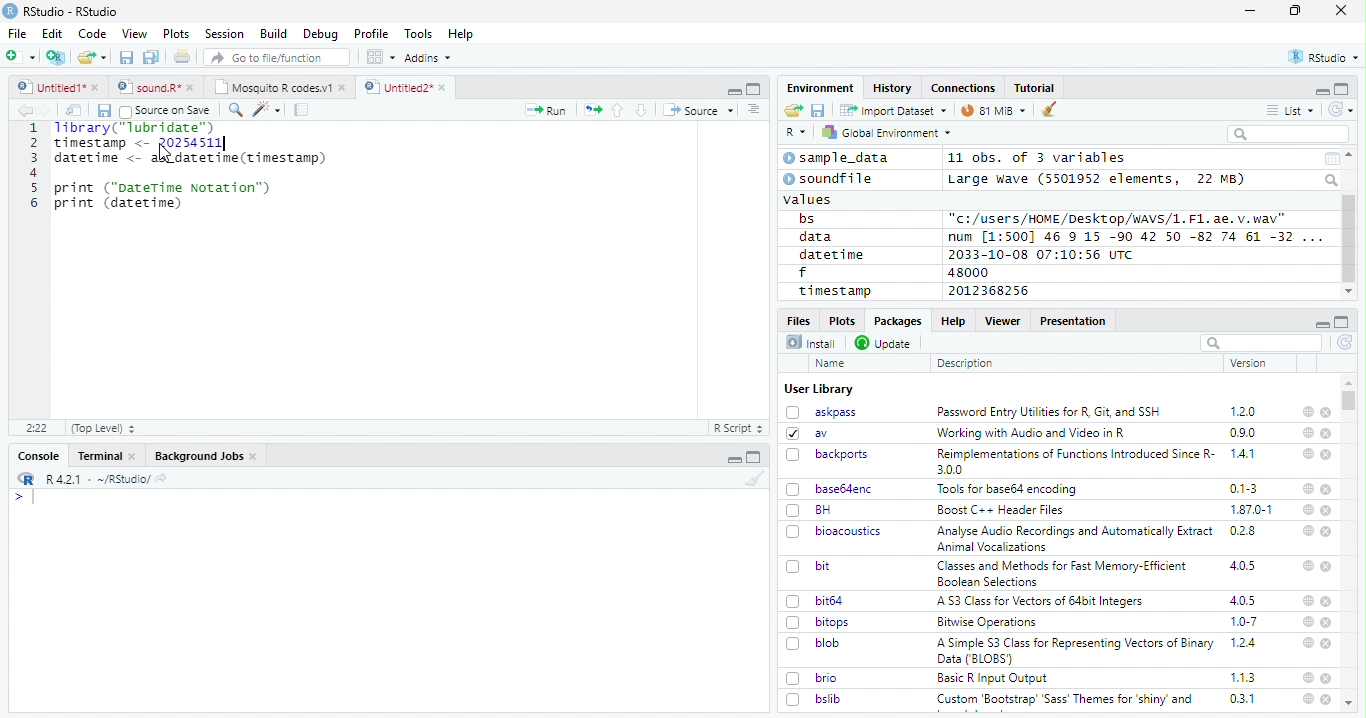 This screenshot has width=1366, height=718. What do you see at coordinates (1321, 90) in the screenshot?
I see `minimize` at bounding box center [1321, 90].